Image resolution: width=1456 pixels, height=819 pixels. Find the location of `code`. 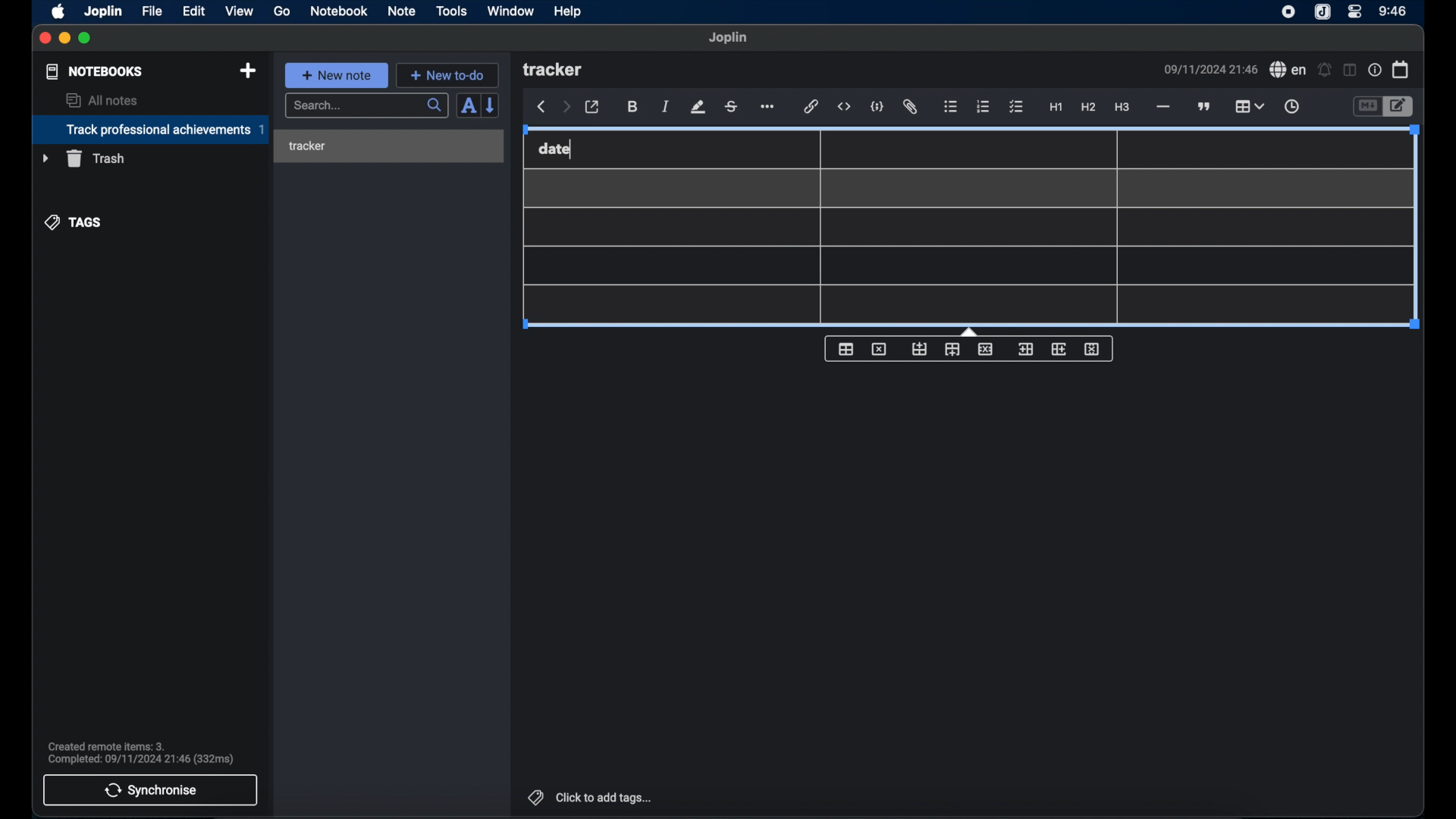

code is located at coordinates (878, 106).